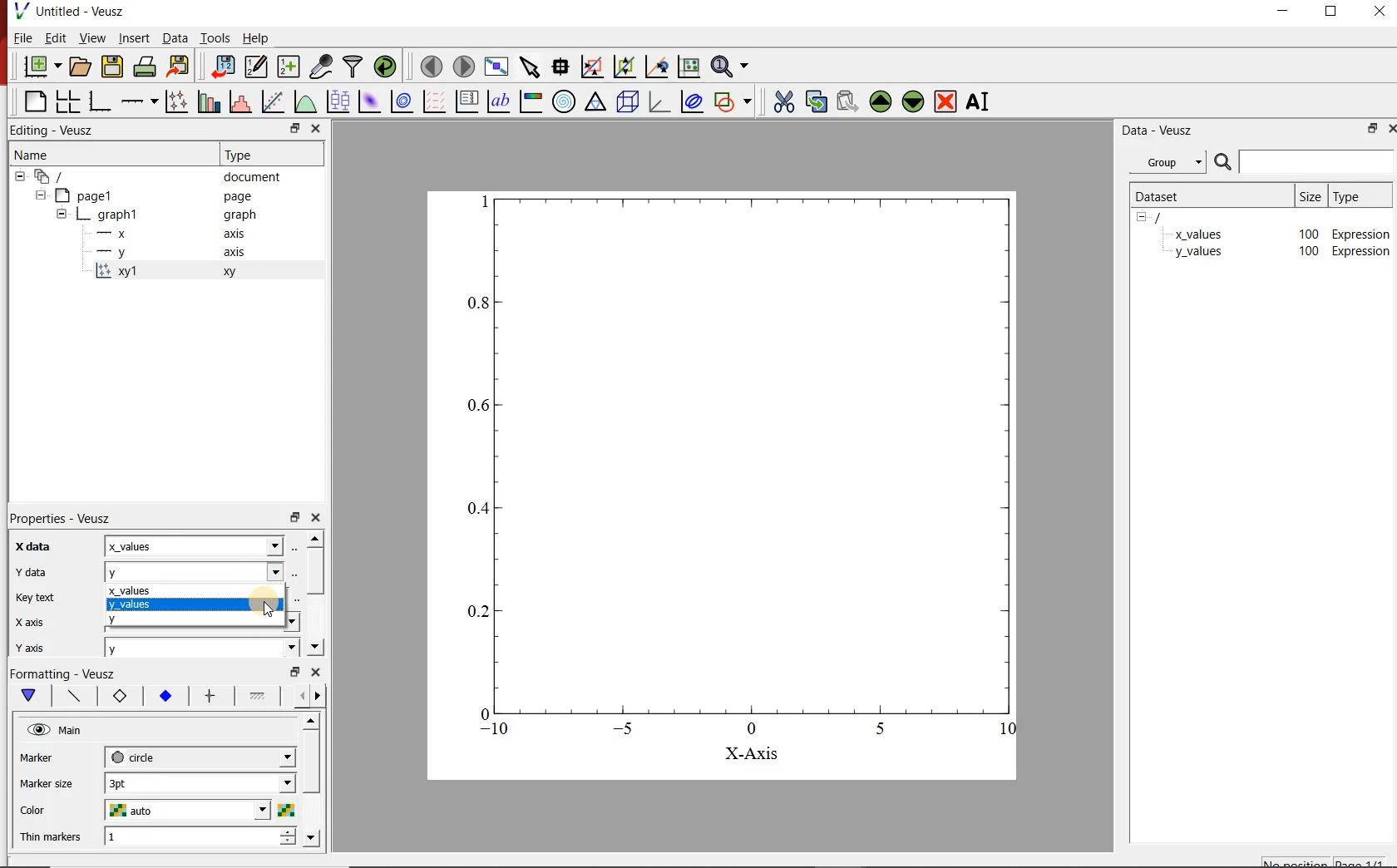 The image size is (1397, 868). I want to click on edit , so click(57, 37).